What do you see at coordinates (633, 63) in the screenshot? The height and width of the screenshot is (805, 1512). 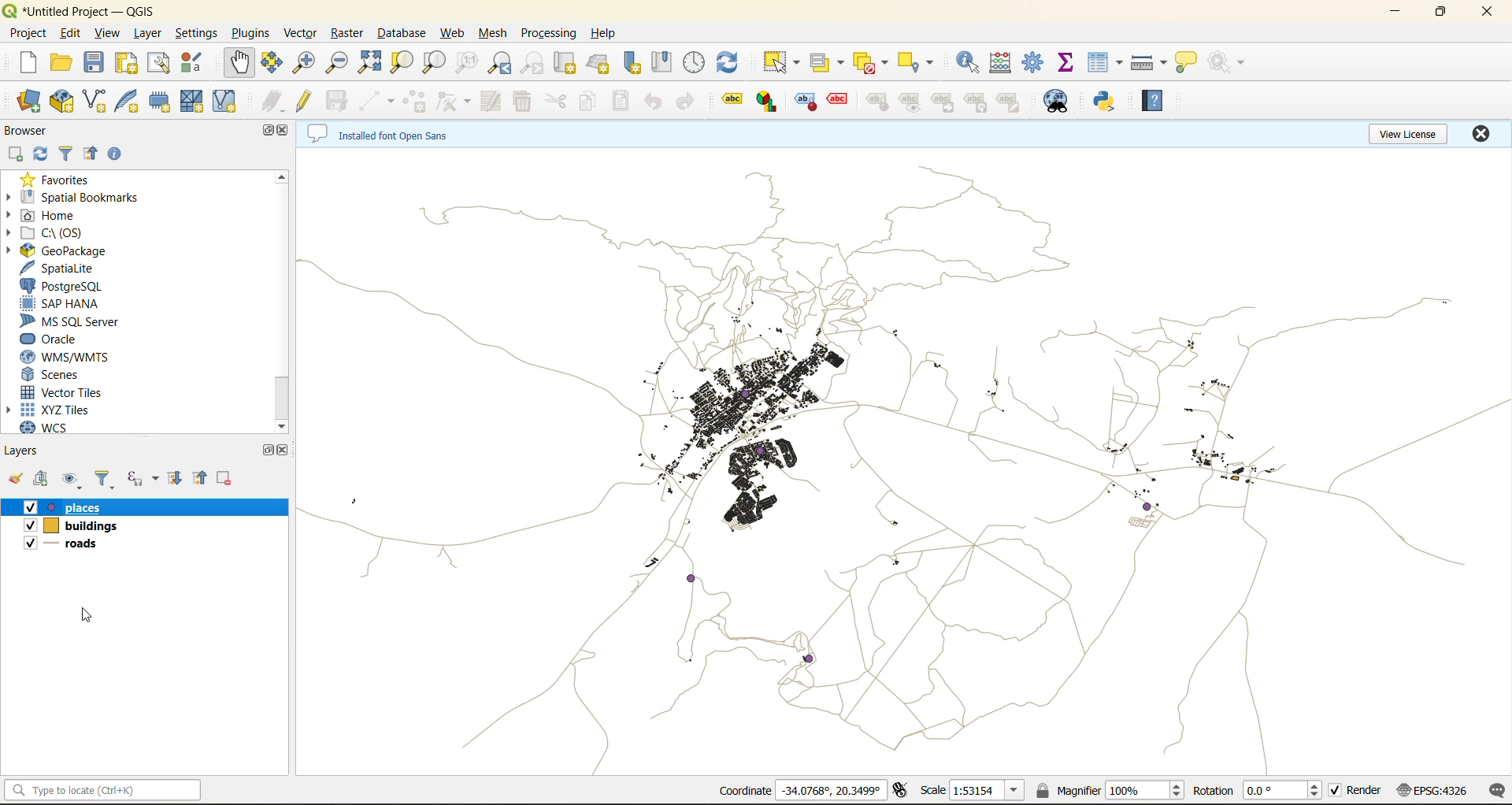 I see `new spatial bookmark` at bounding box center [633, 63].